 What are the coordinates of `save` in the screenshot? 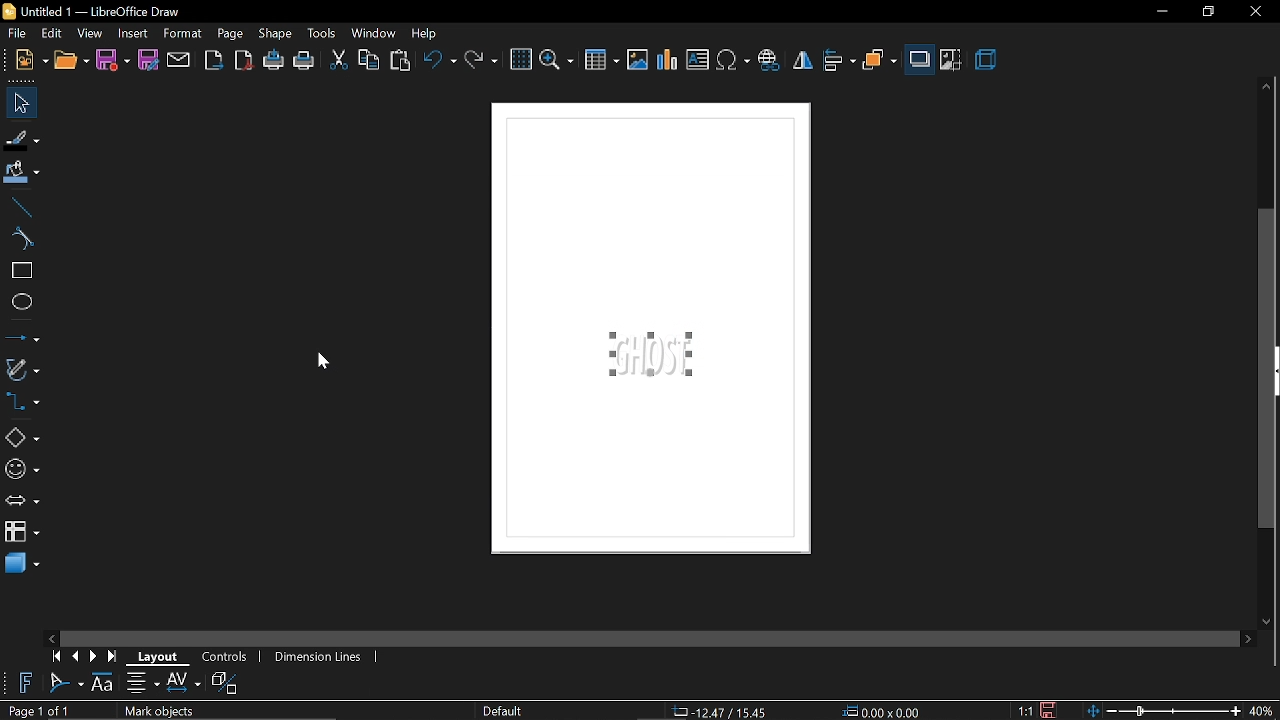 It's located at (1050, 709).